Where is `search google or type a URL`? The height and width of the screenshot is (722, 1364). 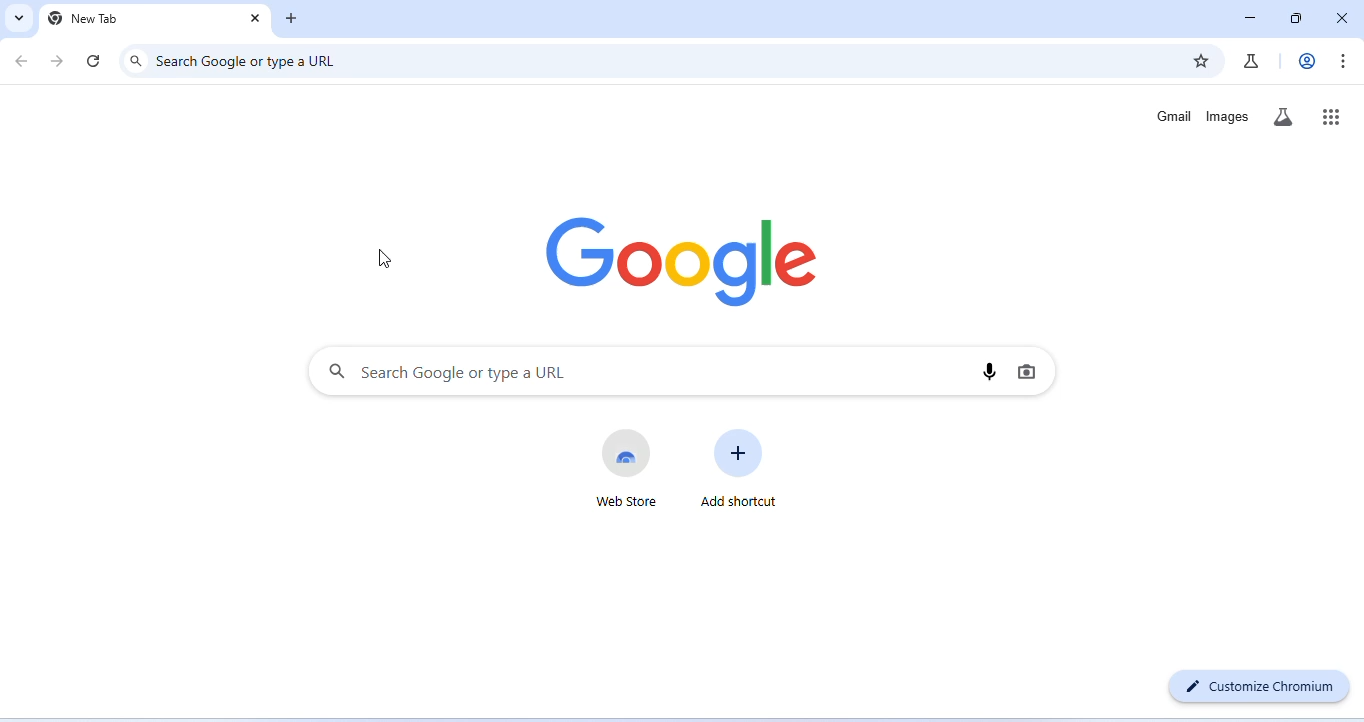 search google or type a URL is located at coordinates (251, 60).